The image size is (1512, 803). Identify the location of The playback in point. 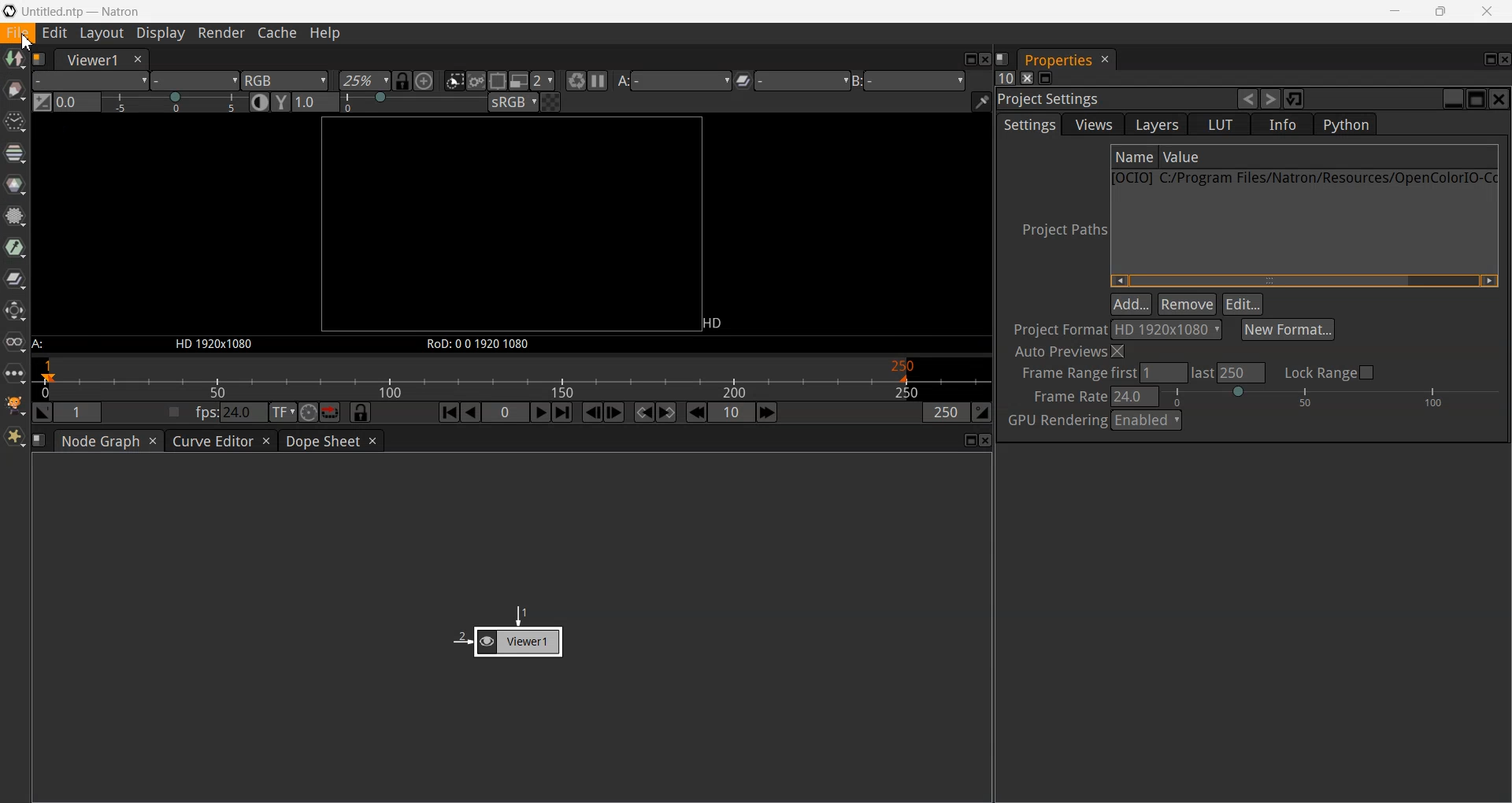
(80, 411).